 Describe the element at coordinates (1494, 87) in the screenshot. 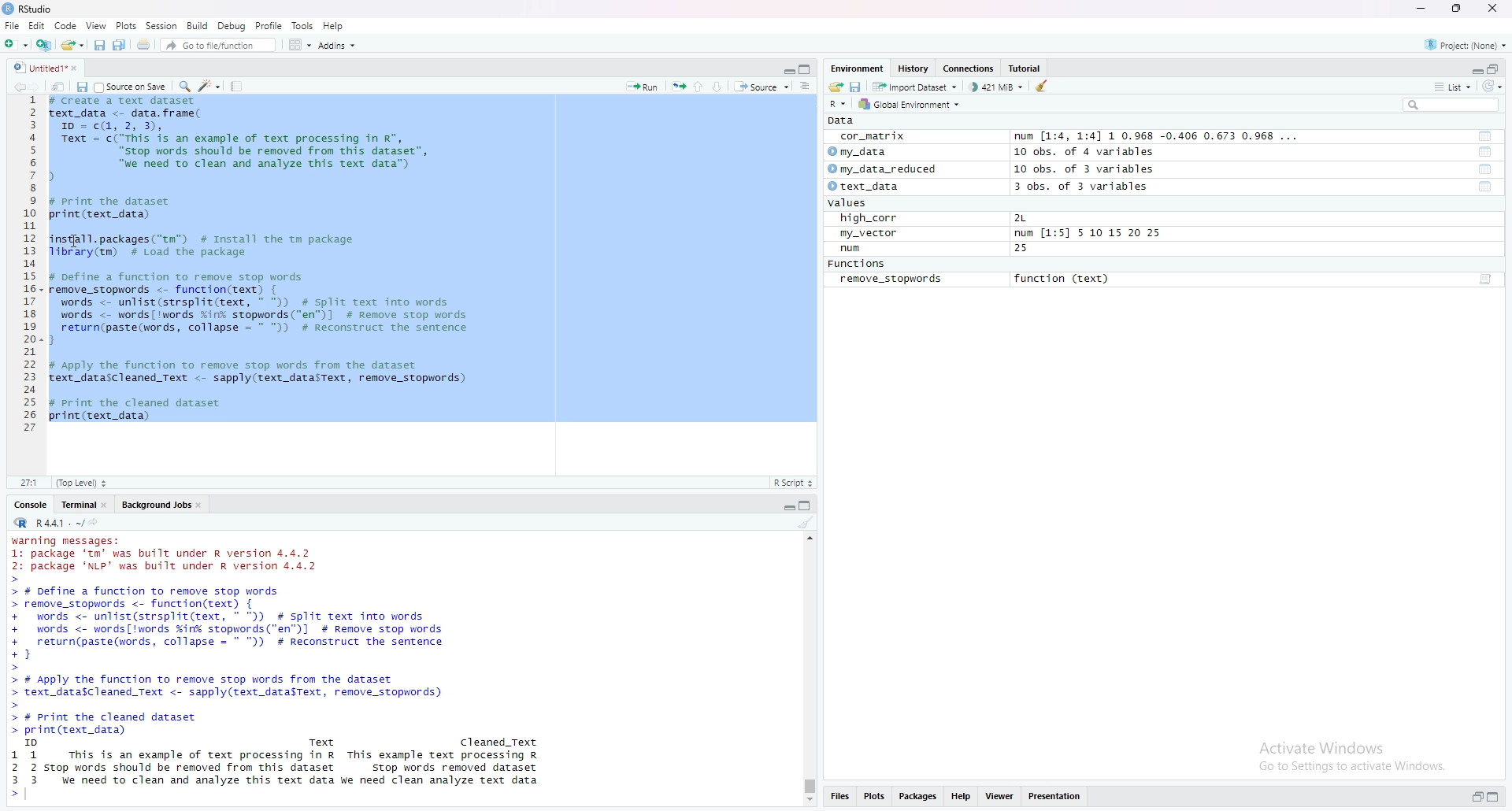

I see `refresh list` at that location.